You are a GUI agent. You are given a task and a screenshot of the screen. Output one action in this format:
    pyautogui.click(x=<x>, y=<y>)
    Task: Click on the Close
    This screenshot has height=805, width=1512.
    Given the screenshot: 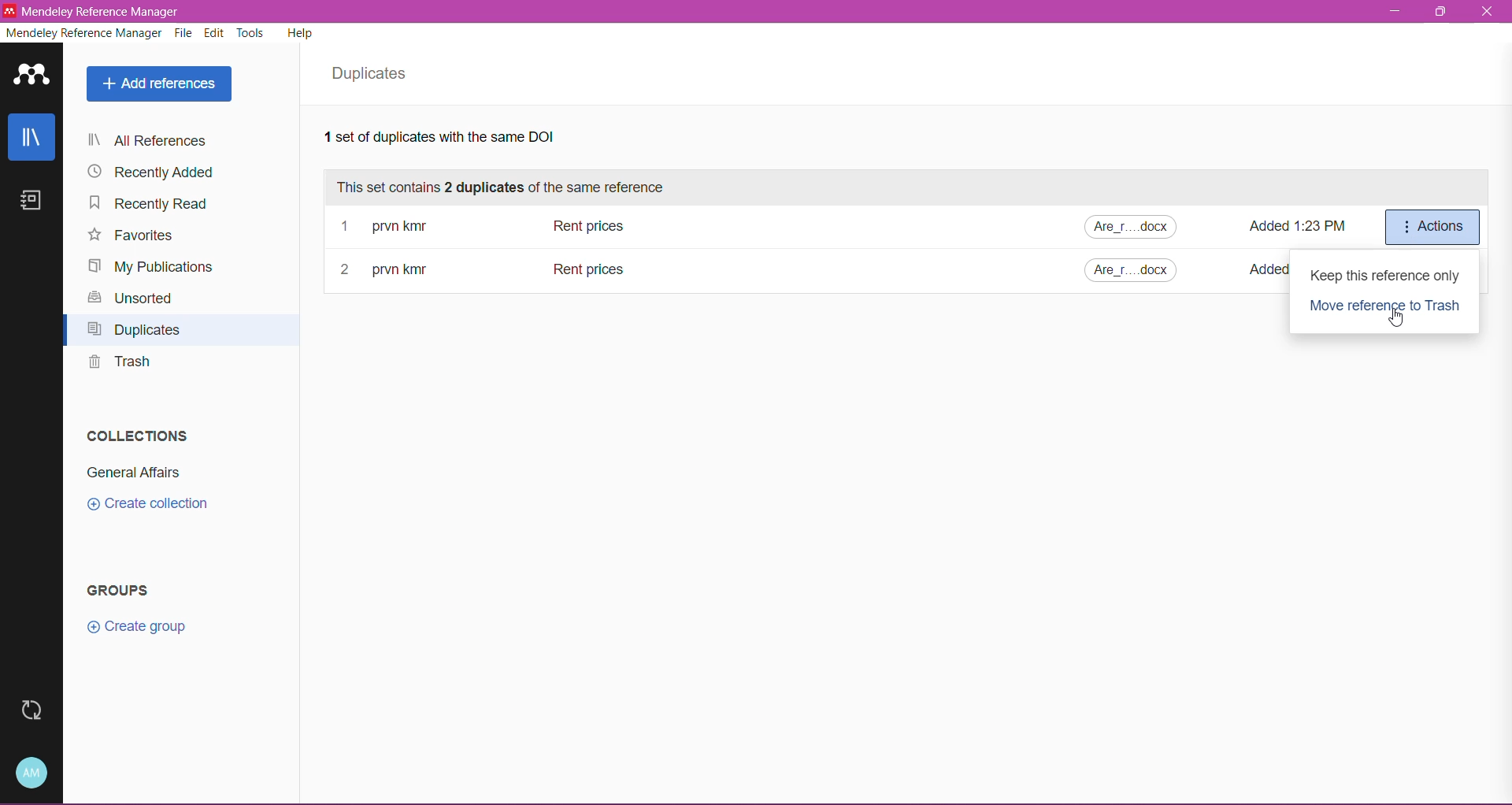 What is the action you would take?
    pyautogui.click(x=1489, y=13)
    